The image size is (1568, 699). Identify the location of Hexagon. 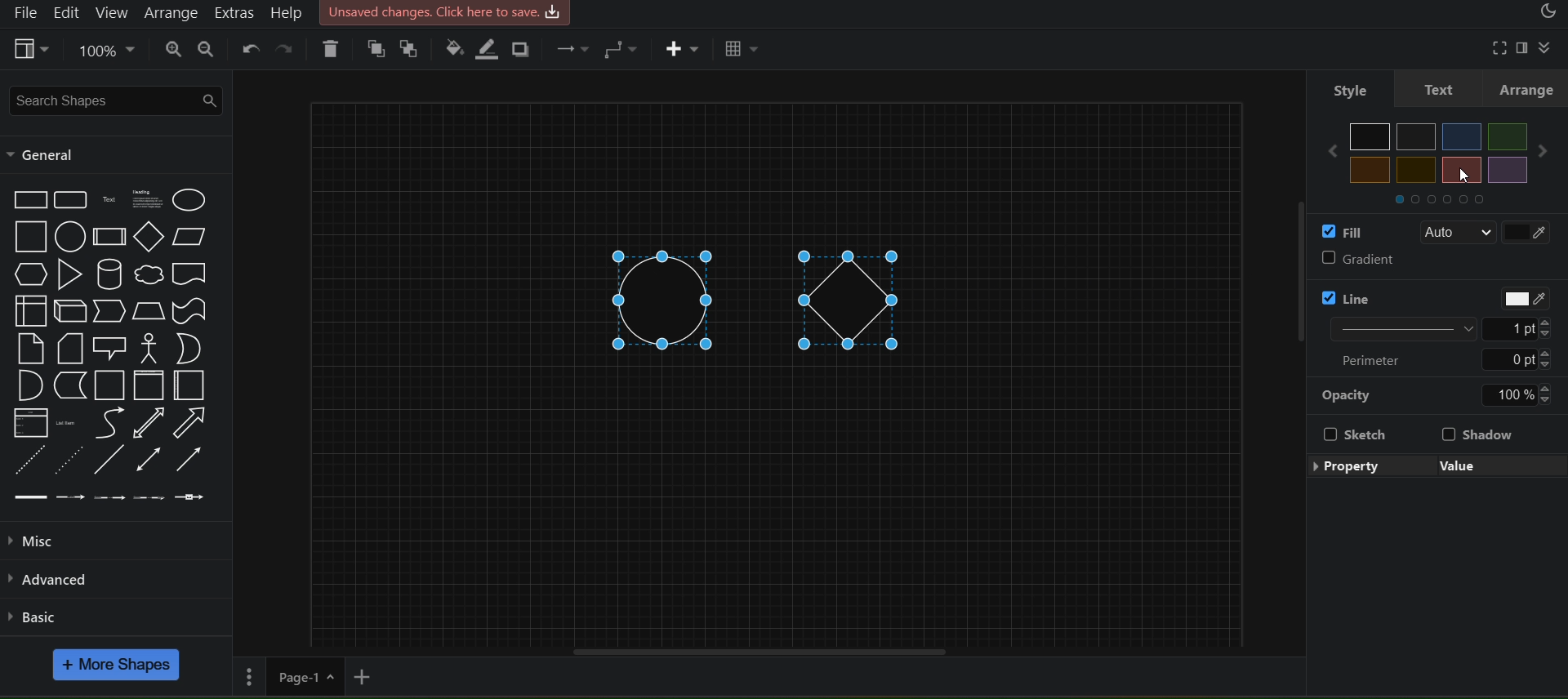
(29, 275).